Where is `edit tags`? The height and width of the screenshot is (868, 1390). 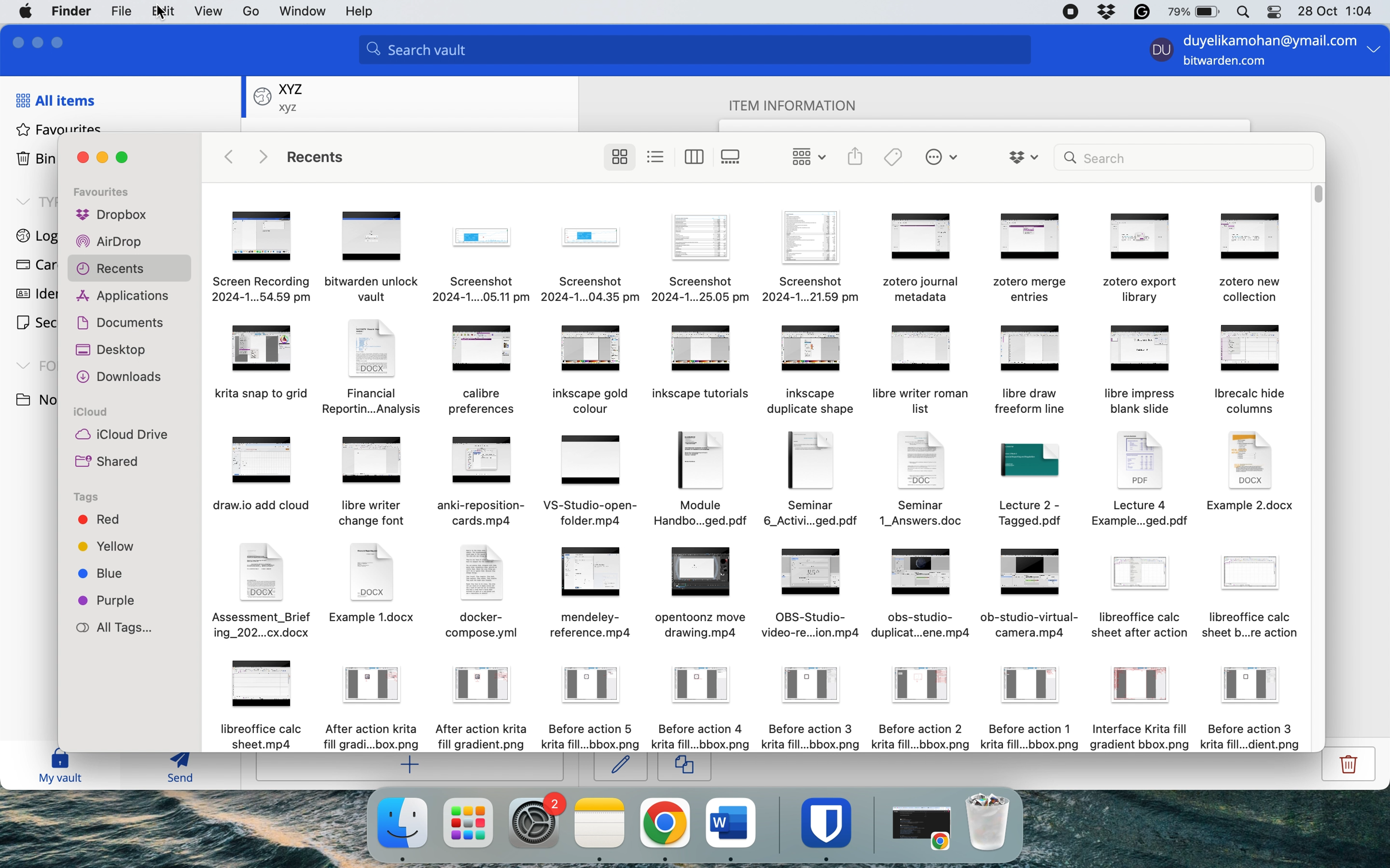
edit tags is located at coordinates (894, 157).